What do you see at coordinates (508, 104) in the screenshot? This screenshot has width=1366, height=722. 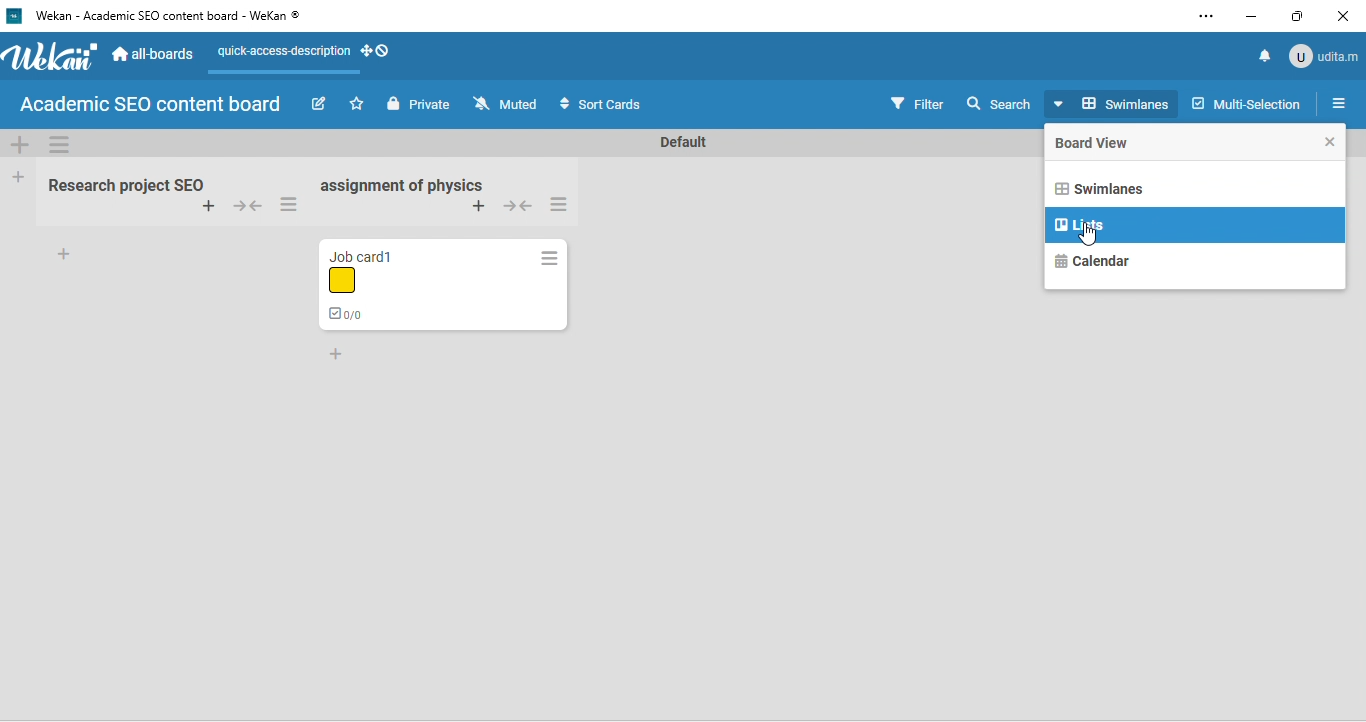 I see `muted` at bounding box center [508, 104].